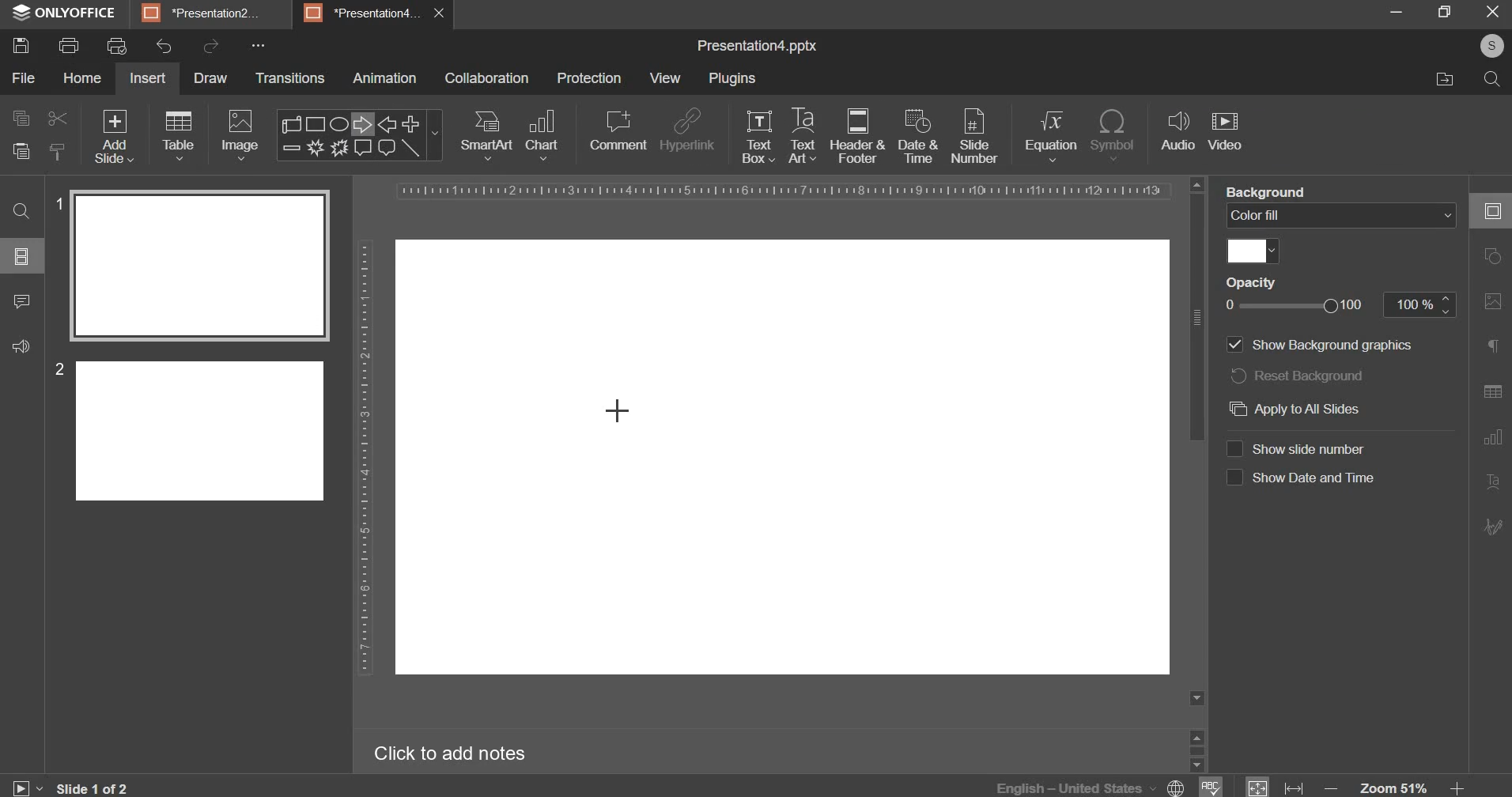  Describe the element at coordinates (663, 78) in the screenshot. I see `view` at that location.